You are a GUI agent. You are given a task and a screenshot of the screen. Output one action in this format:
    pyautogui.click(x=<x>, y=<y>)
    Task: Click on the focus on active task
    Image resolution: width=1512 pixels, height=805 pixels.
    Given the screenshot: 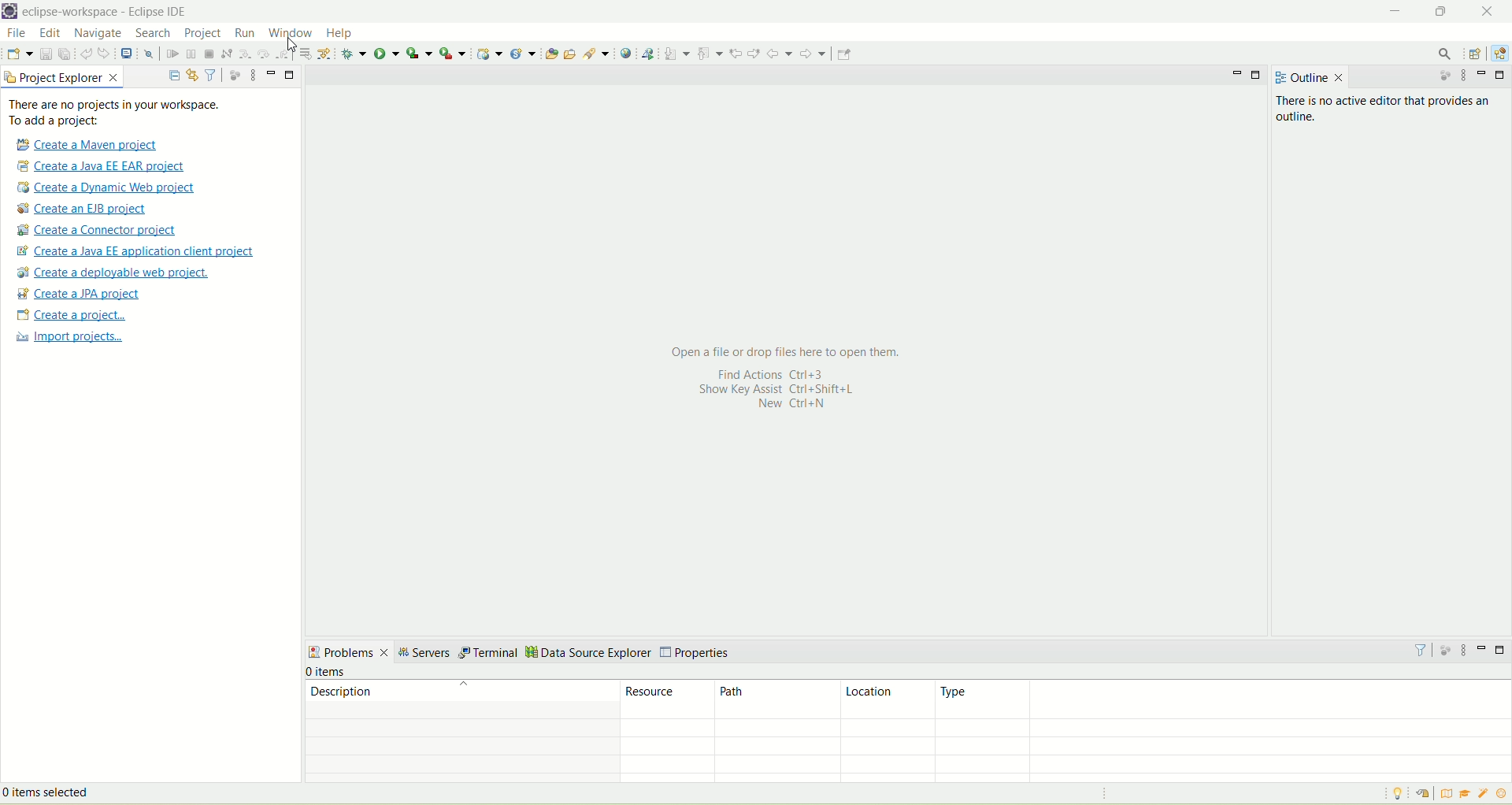 What is the action you would take?
    pyautogui.click(x=233, y=74)
    